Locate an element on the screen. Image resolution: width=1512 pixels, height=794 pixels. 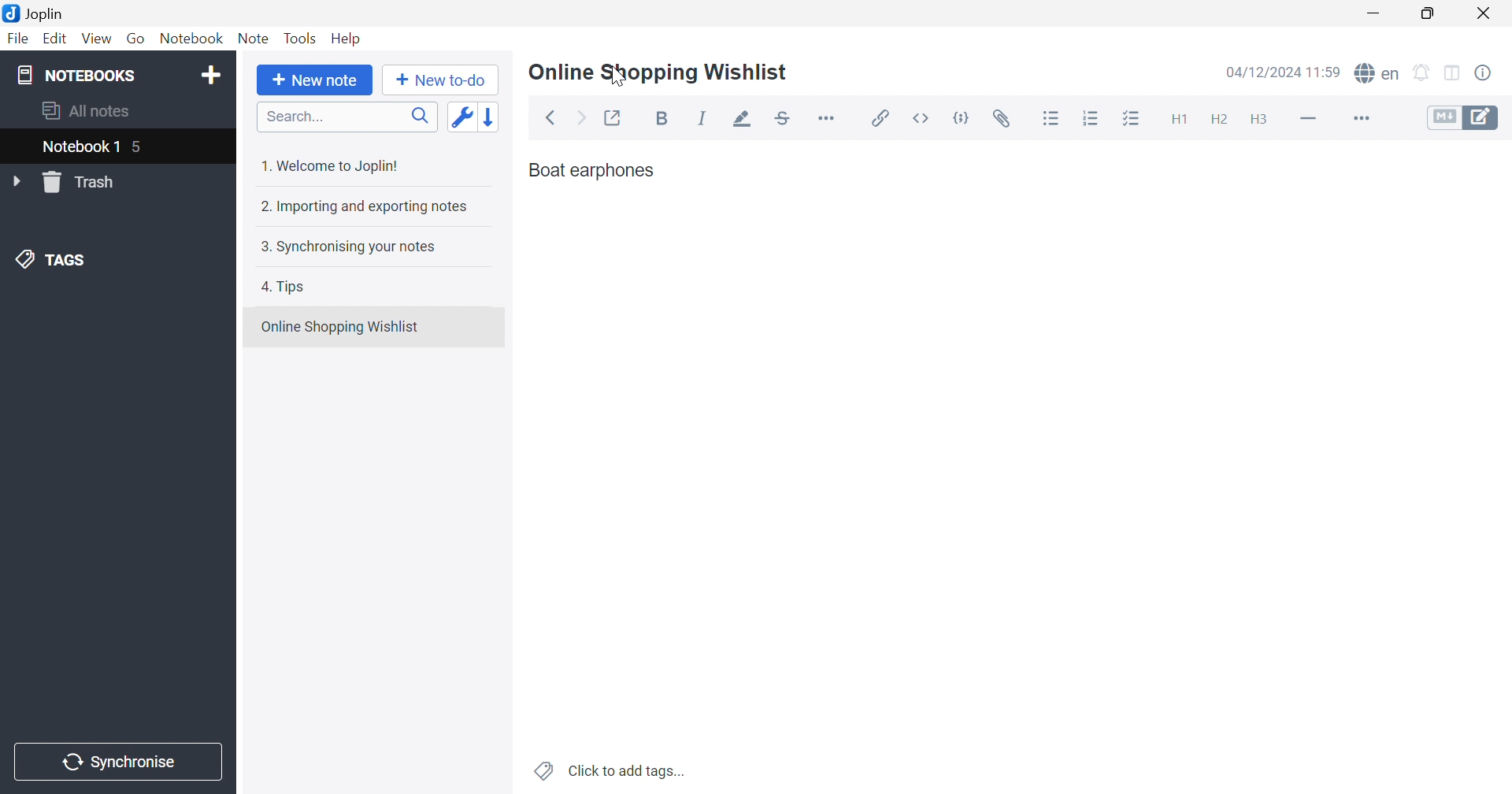
2. Importing and exporting notes is located at coordinates (365, 208).